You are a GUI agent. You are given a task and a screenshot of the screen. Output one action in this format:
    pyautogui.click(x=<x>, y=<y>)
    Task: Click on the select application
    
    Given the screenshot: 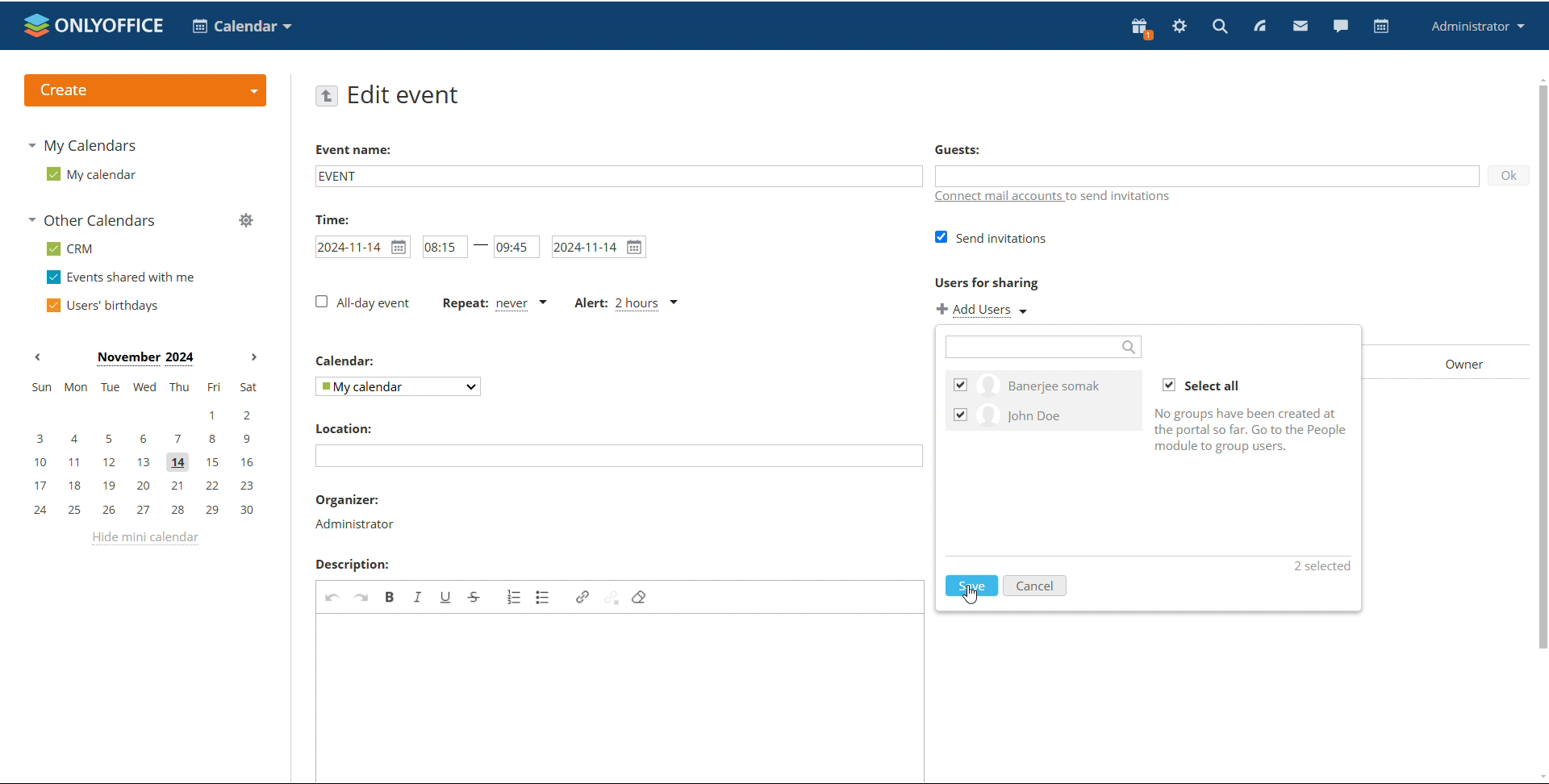 What is the action you would take?
    pyautogui.click(x=240, y=27)
    